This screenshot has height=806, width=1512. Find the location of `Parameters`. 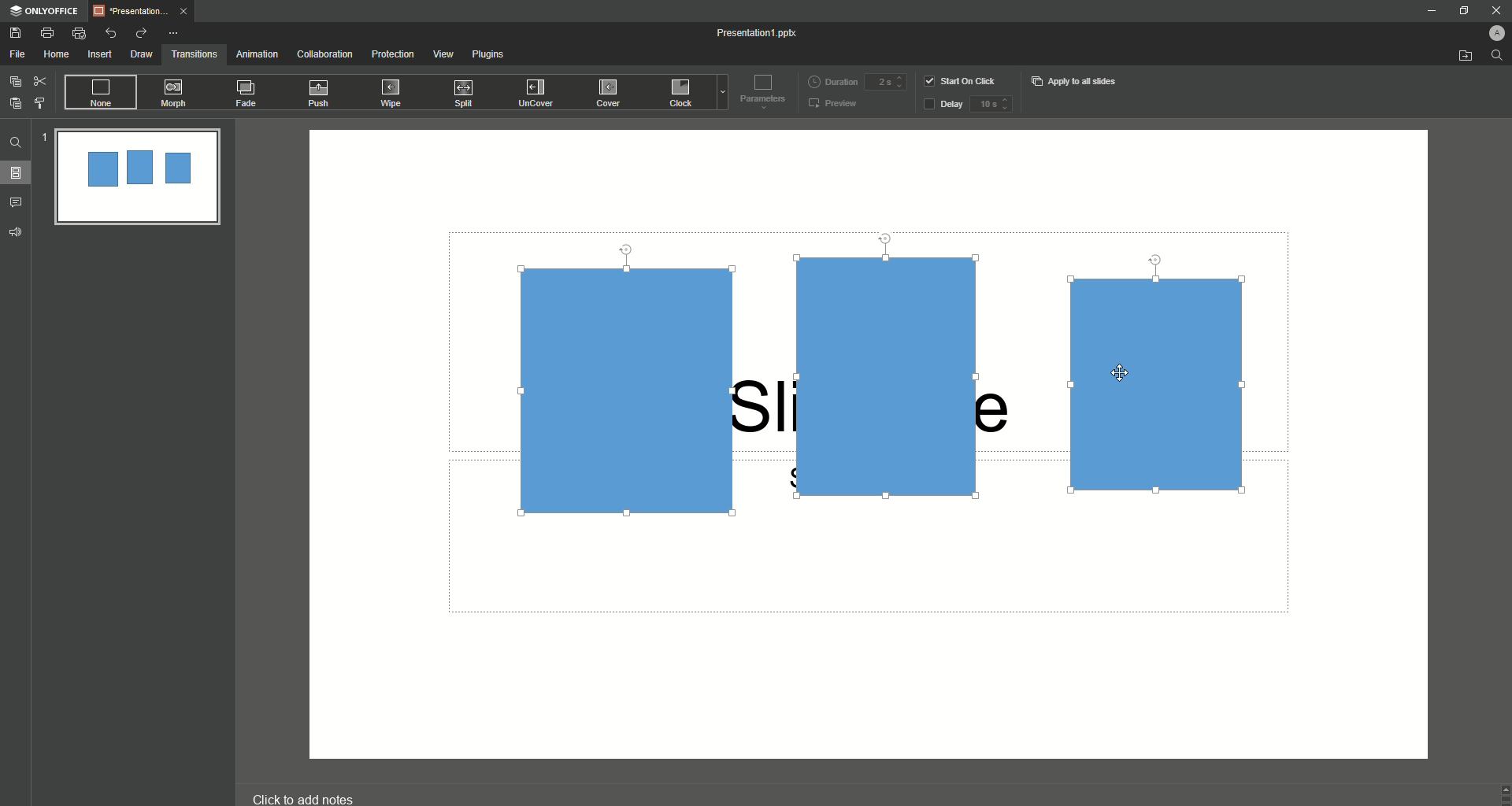

Parameters is located at coordinates (759, 91).